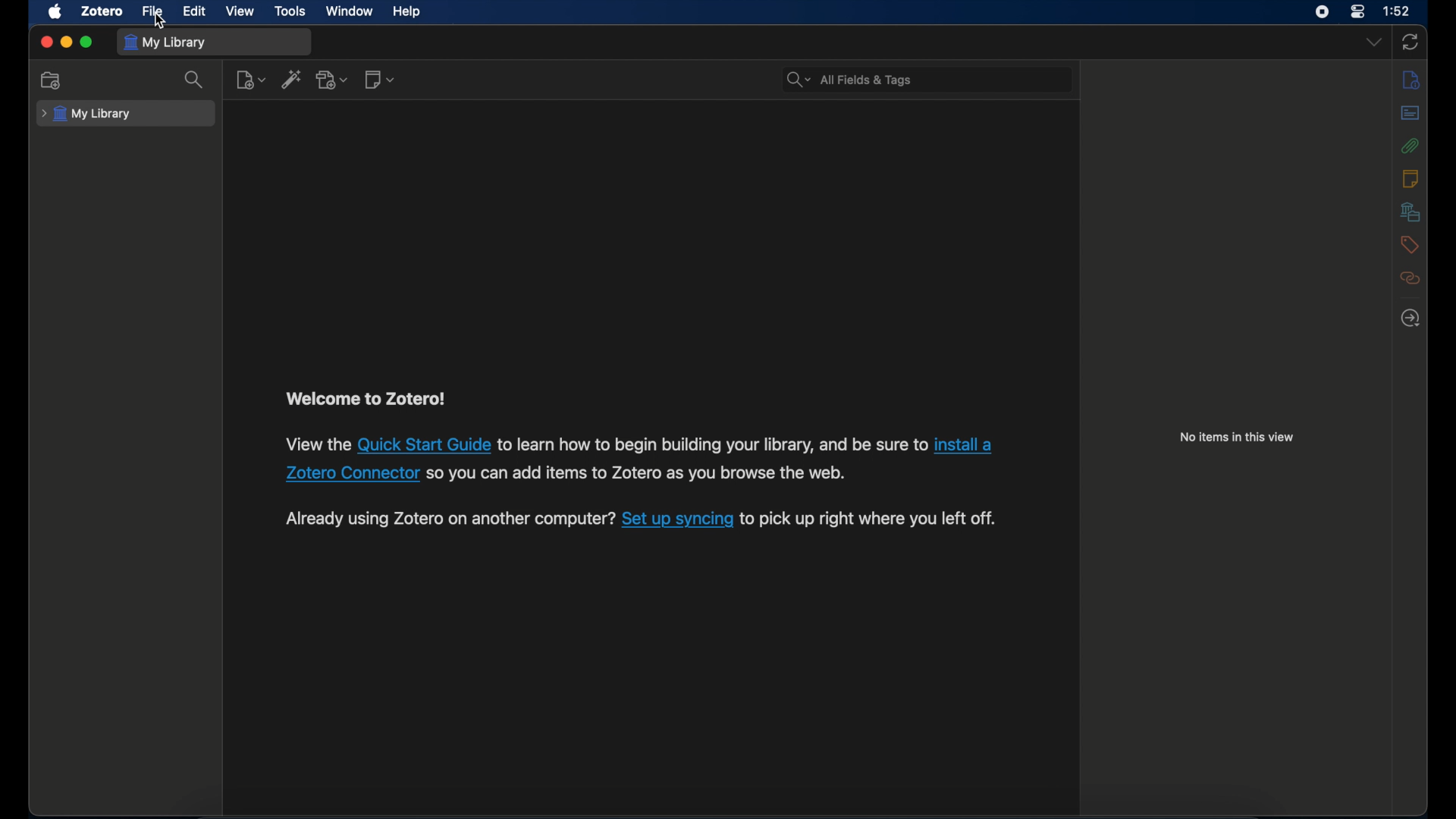 The image size is (1456, 819). Describe the element at coordinates (1412, 80) in the screenshot. I see `info` at that location.